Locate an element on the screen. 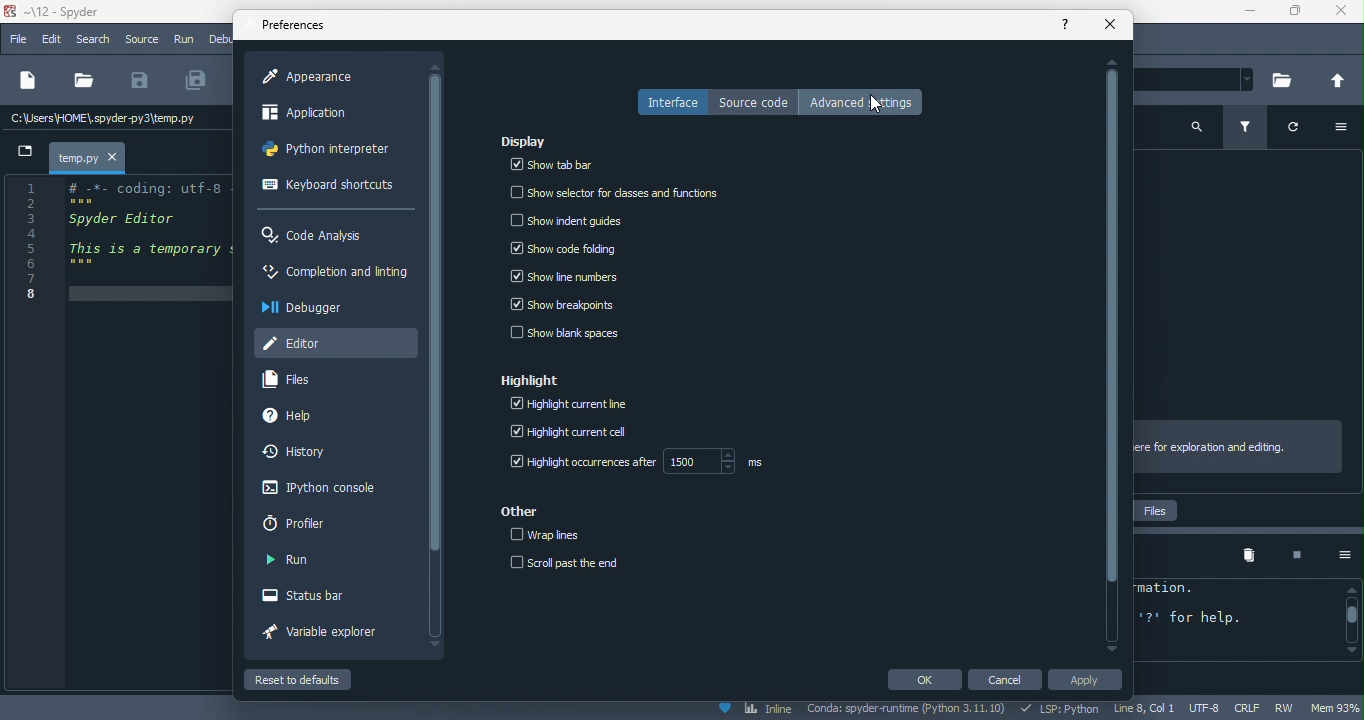 The width and height of the screenshot is (1364, 720). remove all is located at coordinates (1249, 556).